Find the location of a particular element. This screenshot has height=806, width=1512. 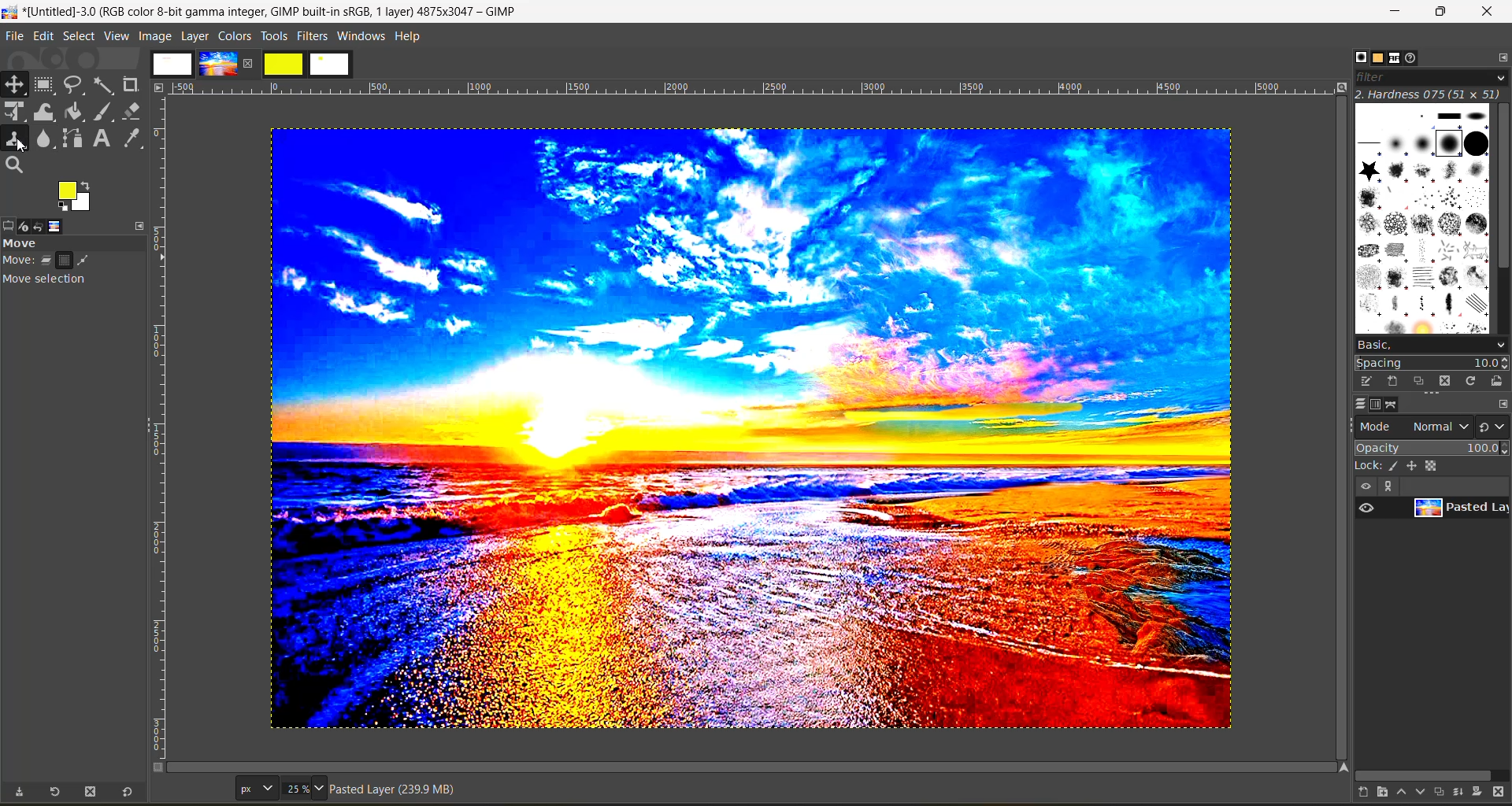

active foreground and background color is located at coordinates (76, 198).